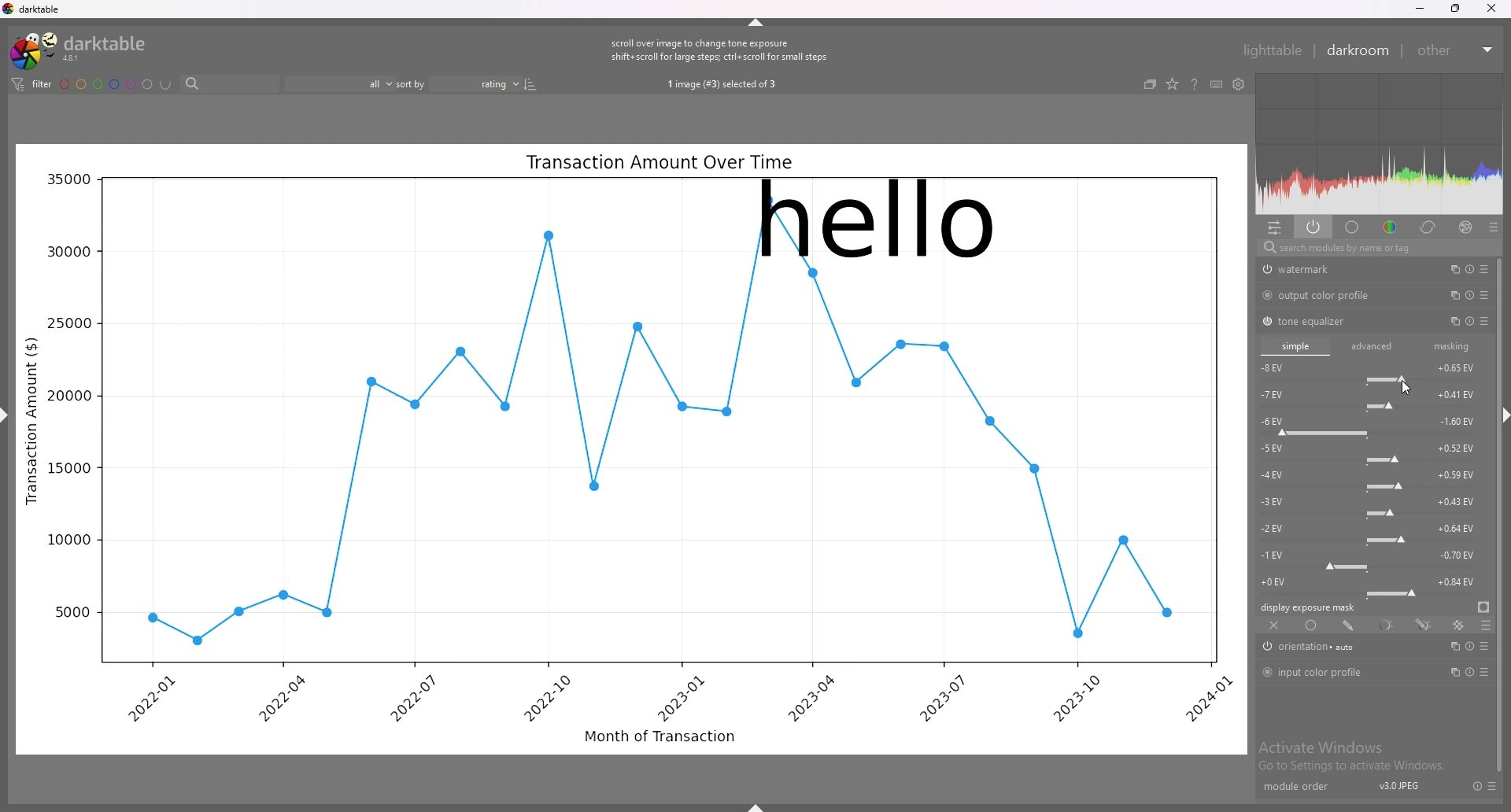  What do you see at coordinates (68, 179) in the screenshot?
I see `35000` at bounding box center [68, 179].